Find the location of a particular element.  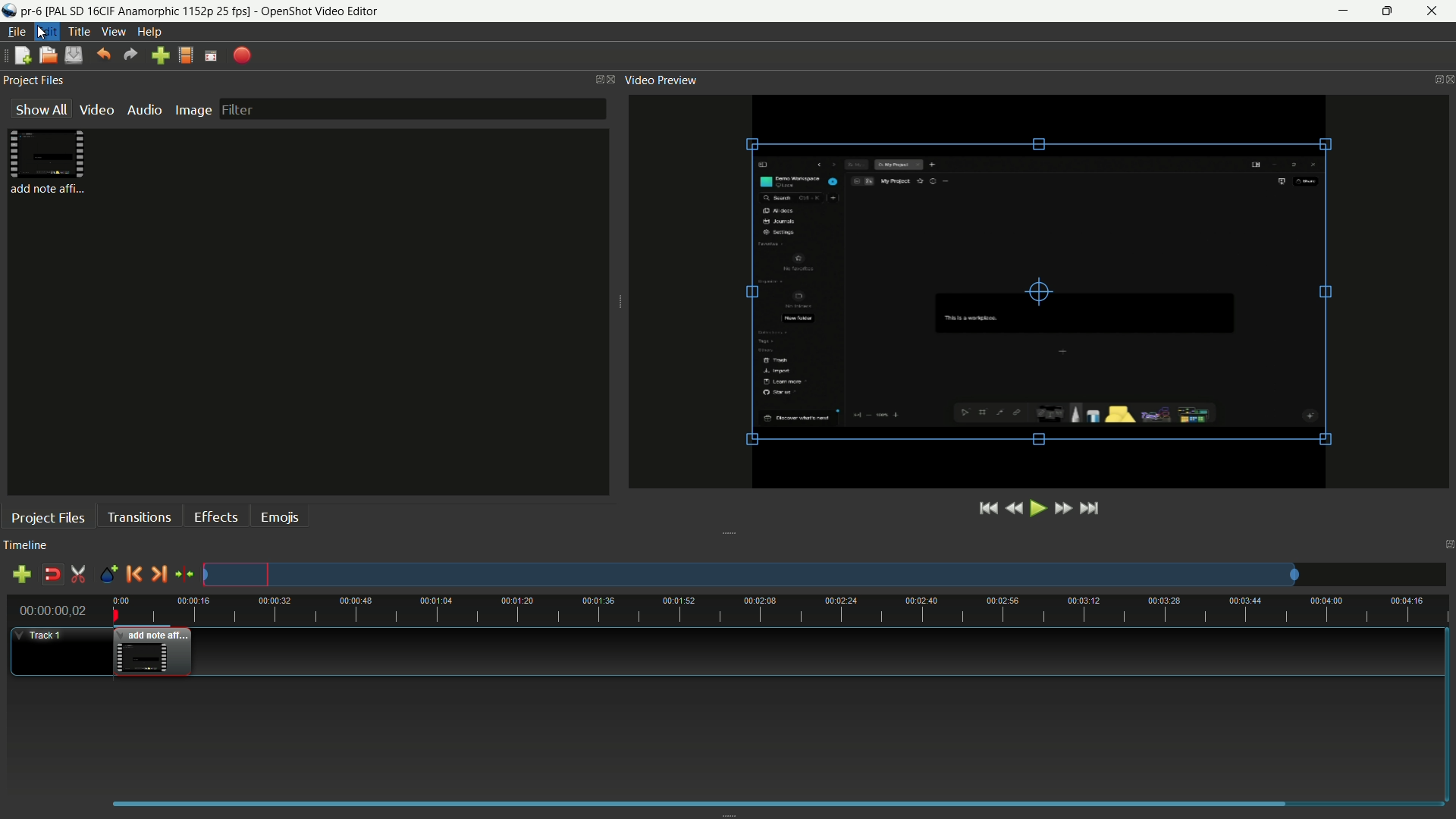

full screen is located at coordinates (211, 56).